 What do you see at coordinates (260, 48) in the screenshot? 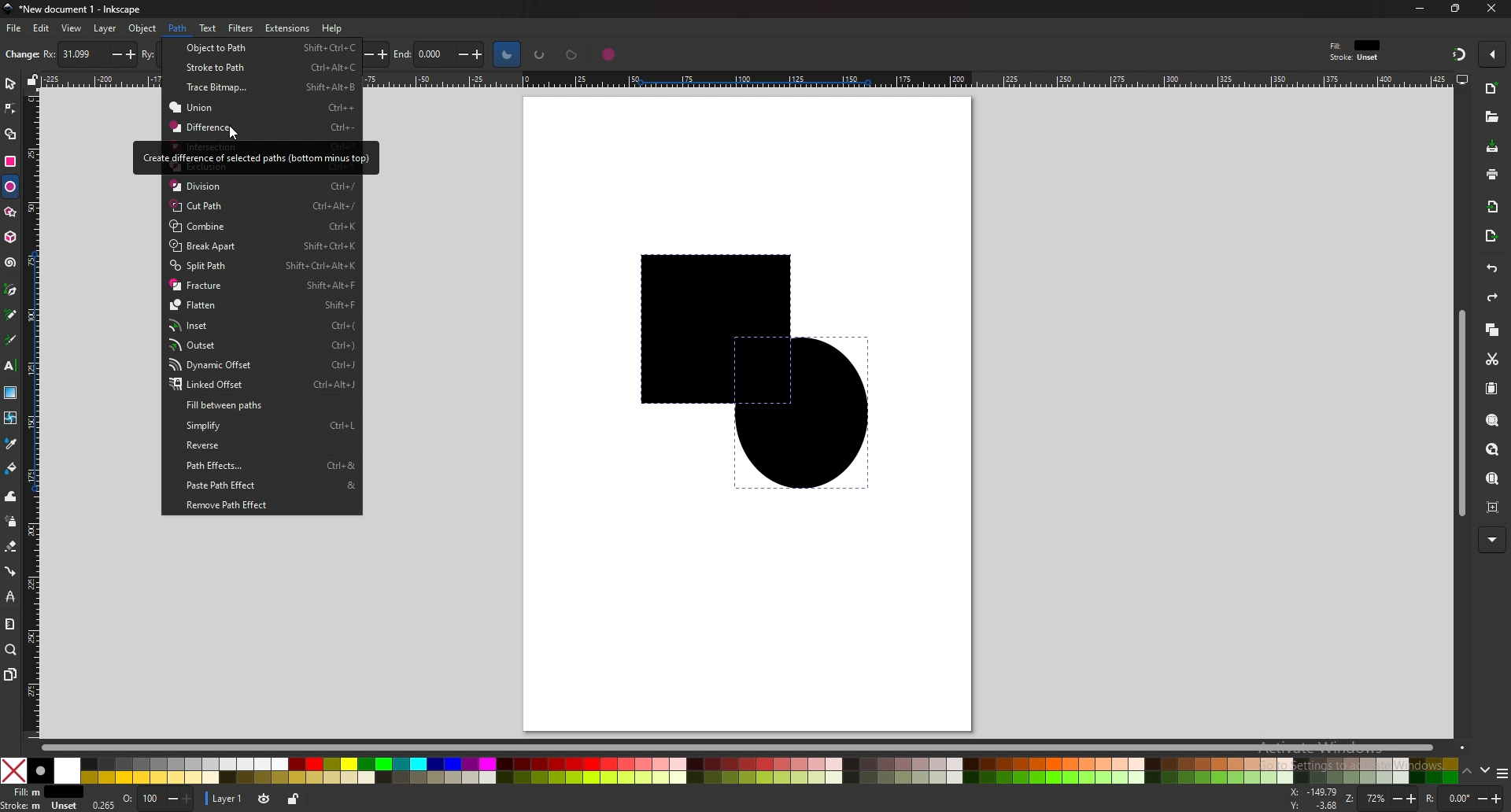
I see `object to path` at bounding box center [260, 48].